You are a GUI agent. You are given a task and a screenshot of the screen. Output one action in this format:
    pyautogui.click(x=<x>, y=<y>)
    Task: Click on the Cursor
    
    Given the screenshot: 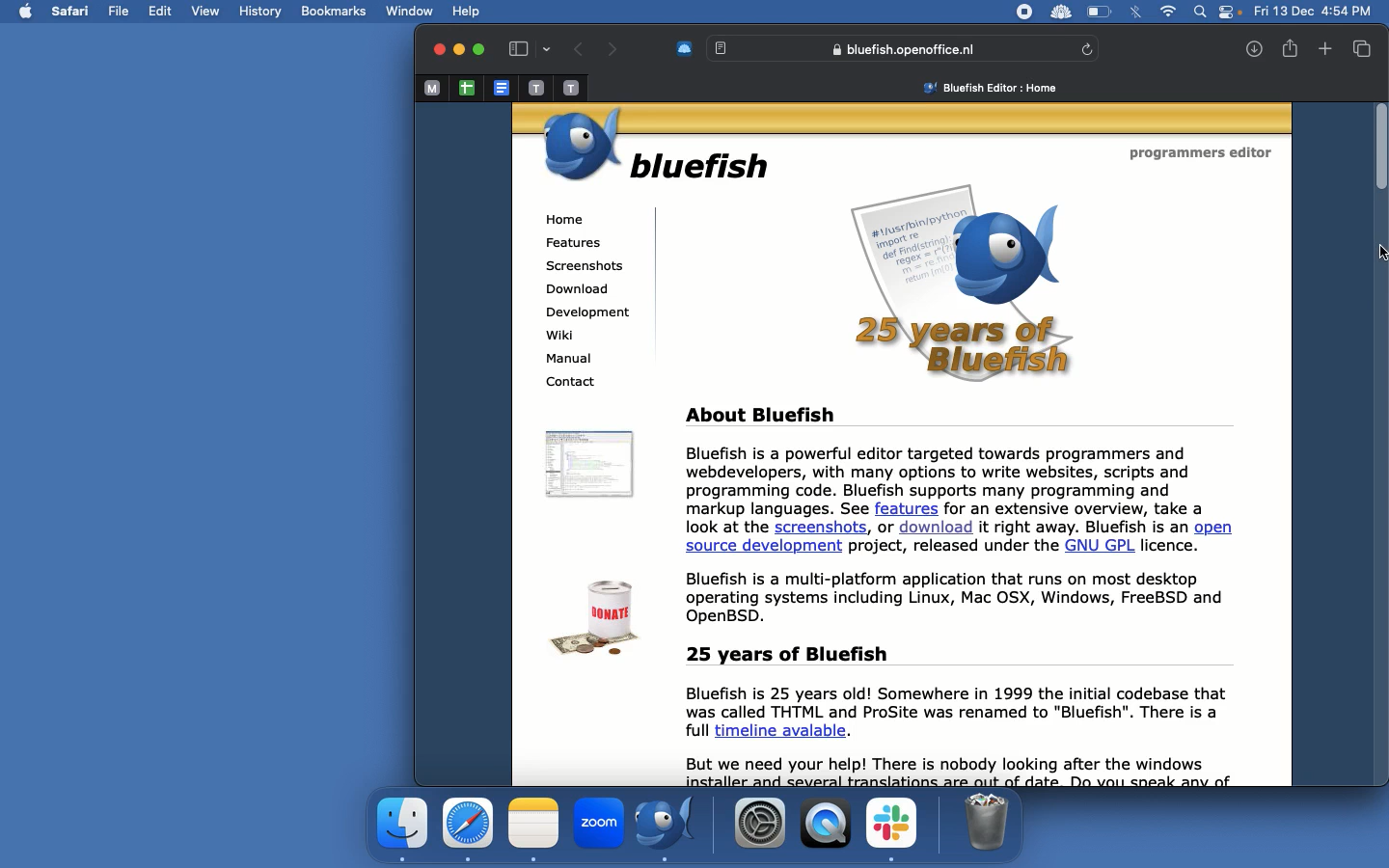 What is the action you would take?
    pyautogui.click(x=1378, y=257)
    